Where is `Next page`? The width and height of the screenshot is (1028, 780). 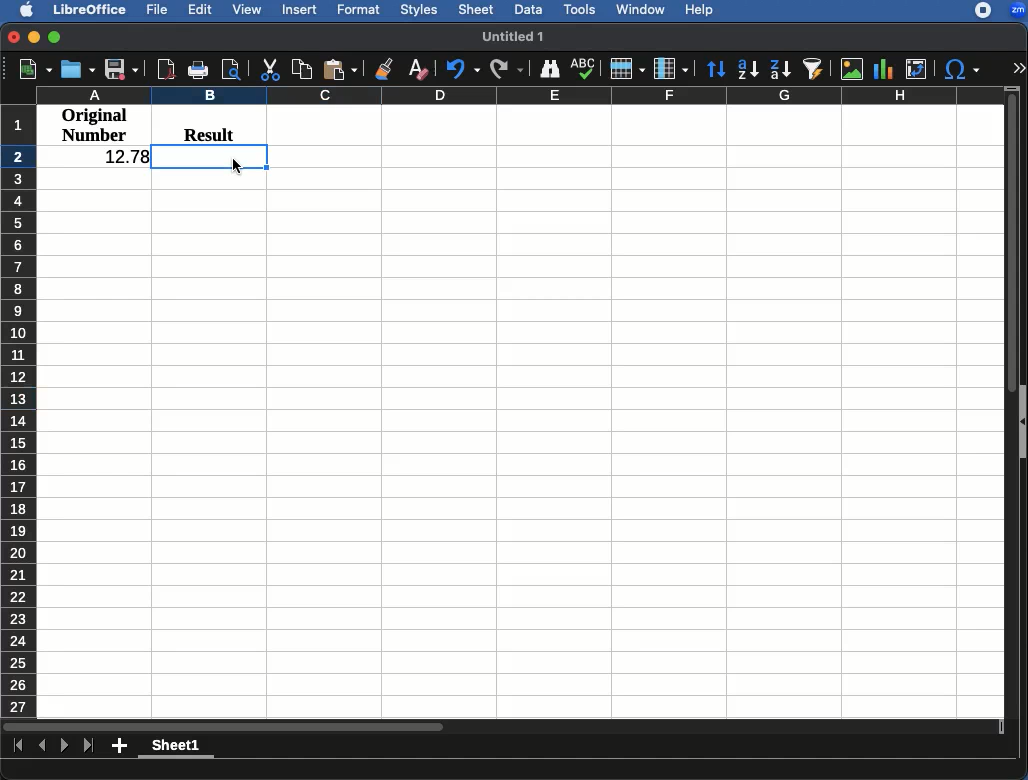 Next page is located at coordinates (65, 746).